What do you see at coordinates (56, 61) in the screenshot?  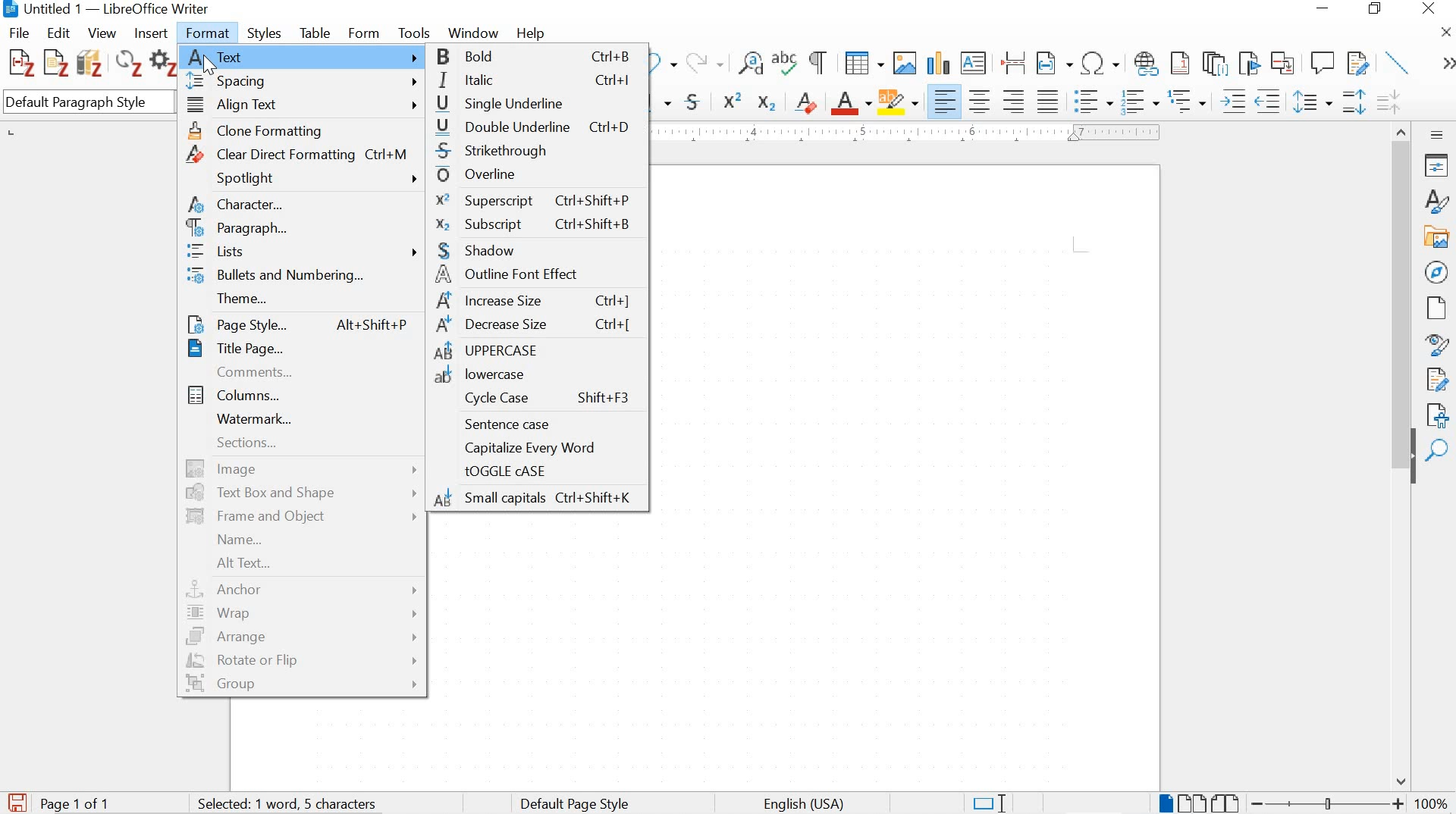 I see `add note` at bounding box center [56, 61].